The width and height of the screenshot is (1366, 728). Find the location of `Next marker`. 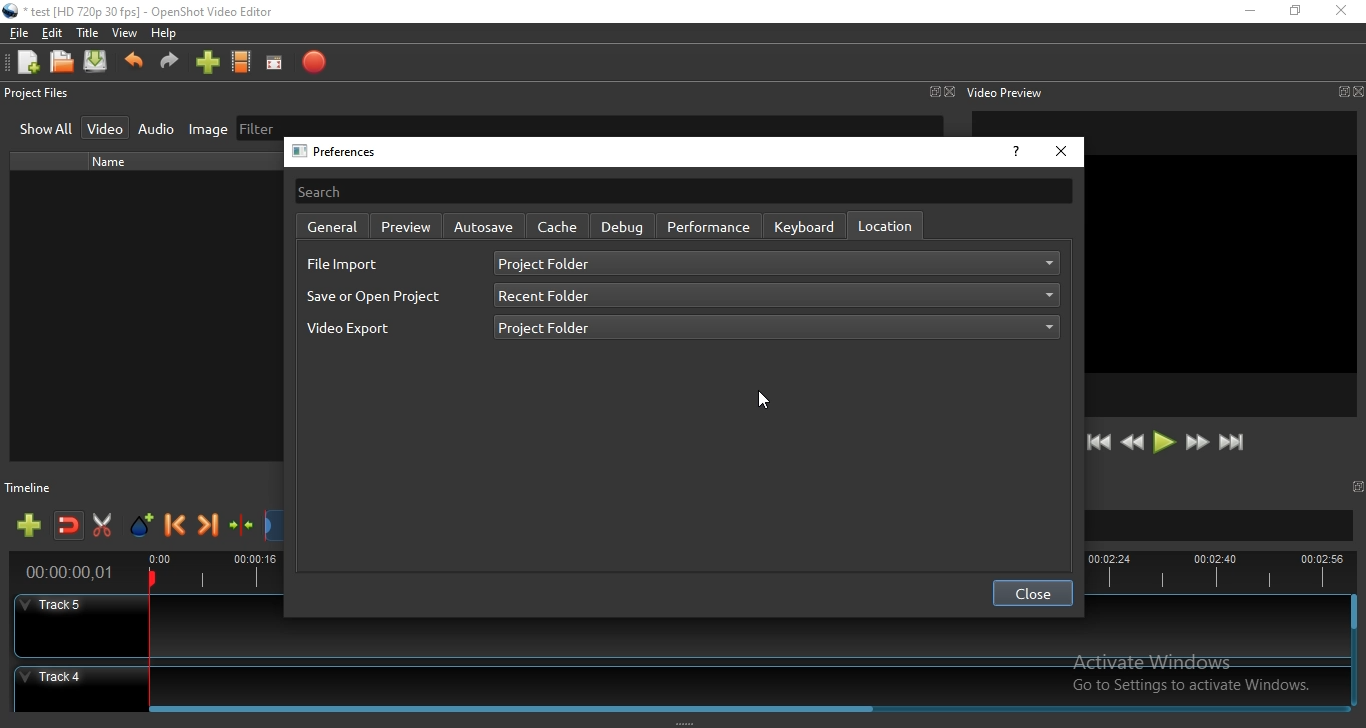

Next marker is located at coordinates (209, 528).